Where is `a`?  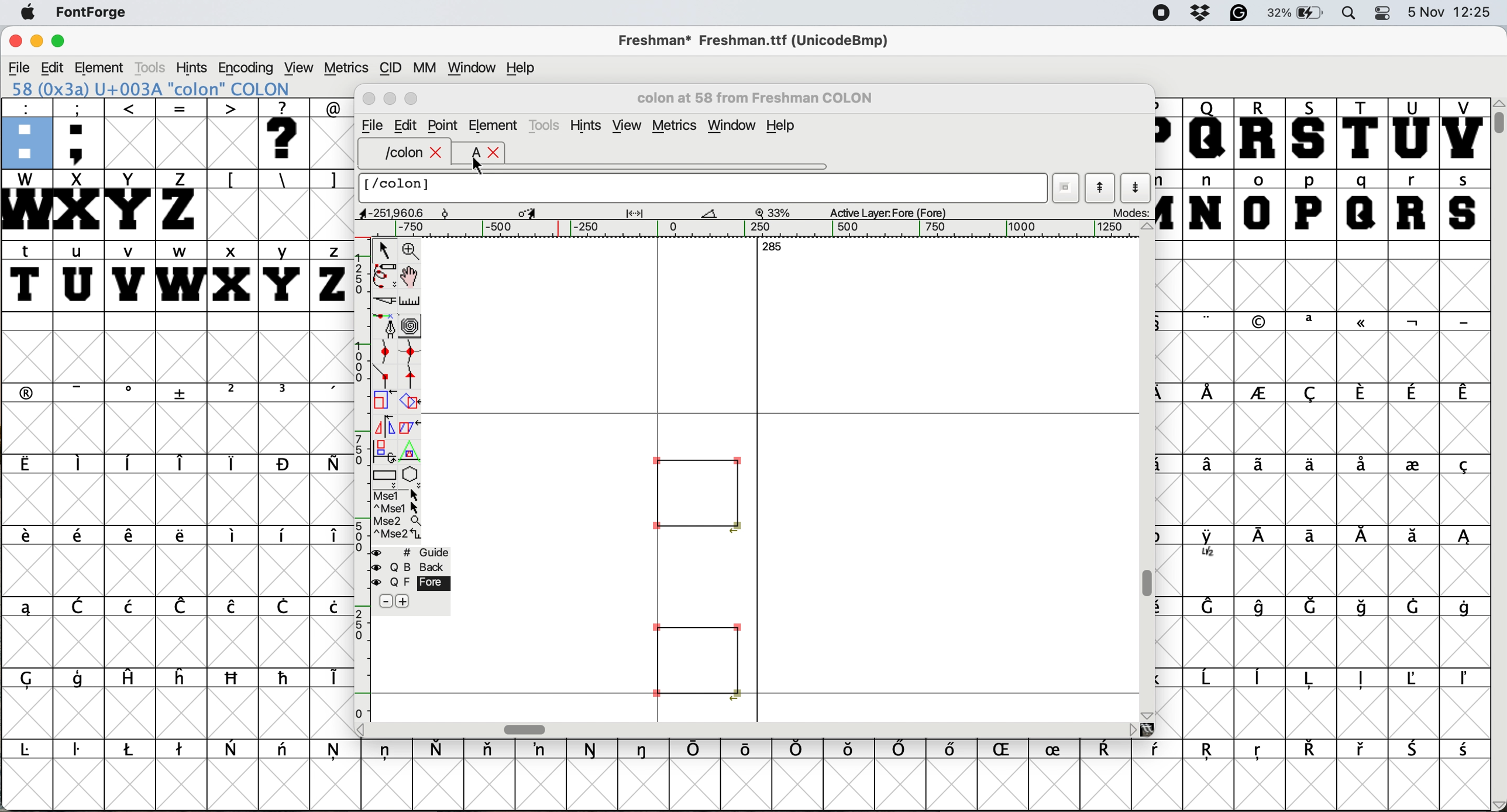
a is located at coordinates (469, 154).